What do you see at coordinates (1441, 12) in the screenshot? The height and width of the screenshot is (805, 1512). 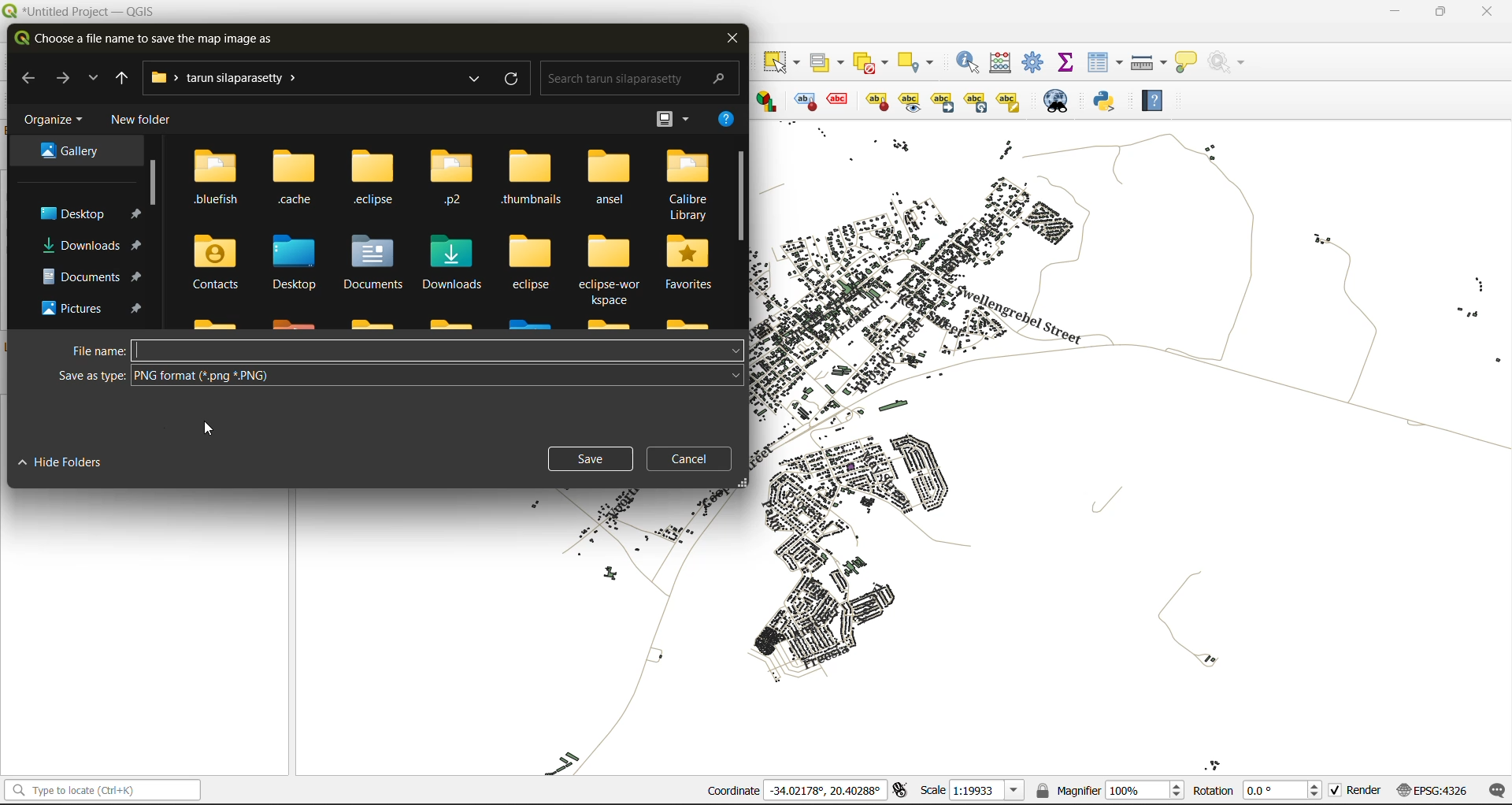 I see `maximize` at bounding box center [1441, 12].